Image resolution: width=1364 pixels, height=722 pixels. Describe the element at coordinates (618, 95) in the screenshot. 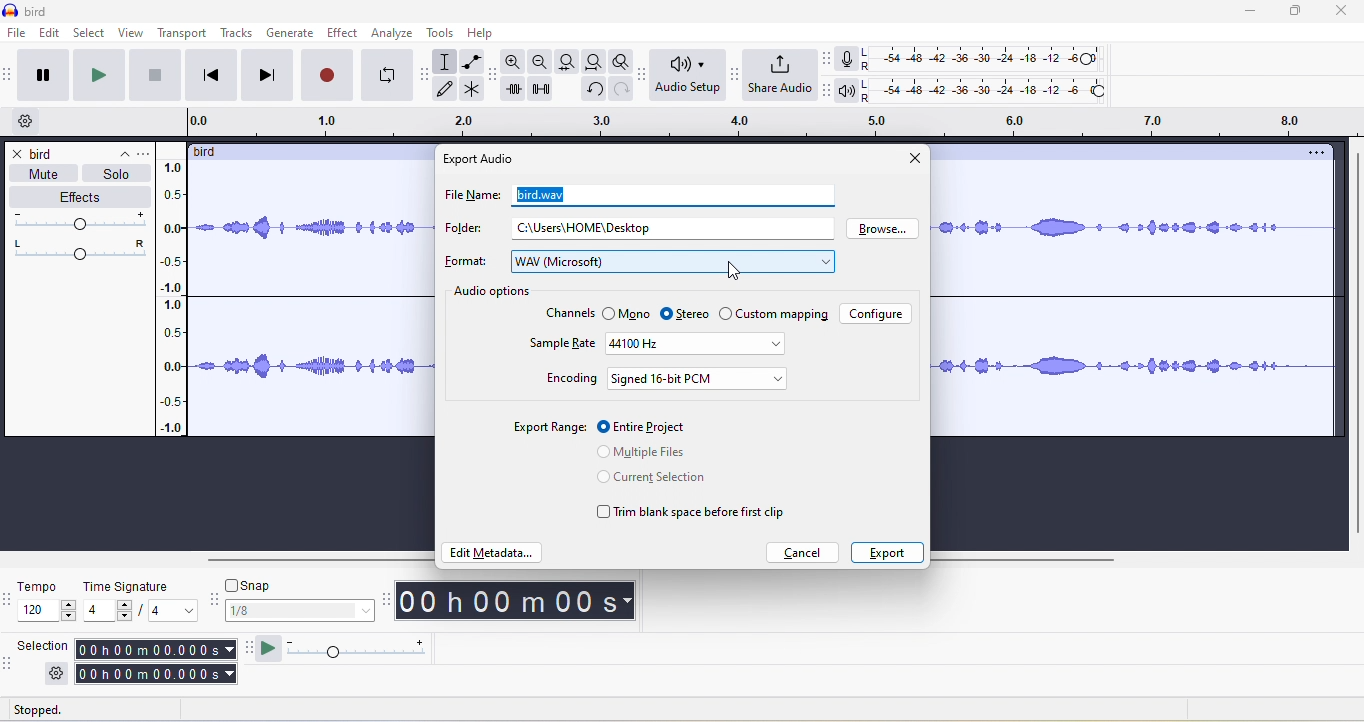

I see `redo` at that location.